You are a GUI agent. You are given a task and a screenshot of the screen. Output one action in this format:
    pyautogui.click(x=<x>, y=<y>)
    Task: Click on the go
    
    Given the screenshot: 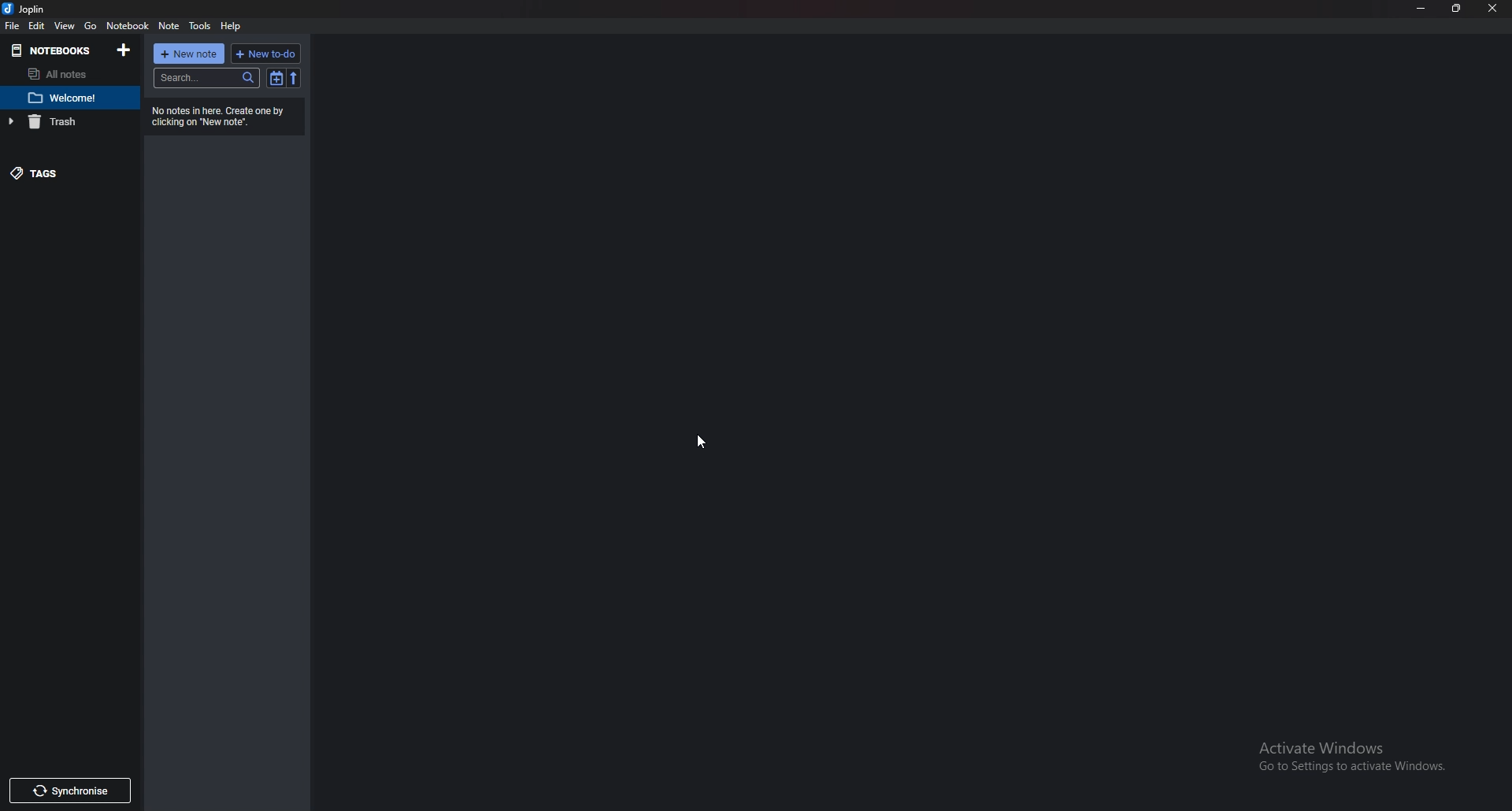 What is the action you would take?
    pyautogui.click(x=93, y=23)
    